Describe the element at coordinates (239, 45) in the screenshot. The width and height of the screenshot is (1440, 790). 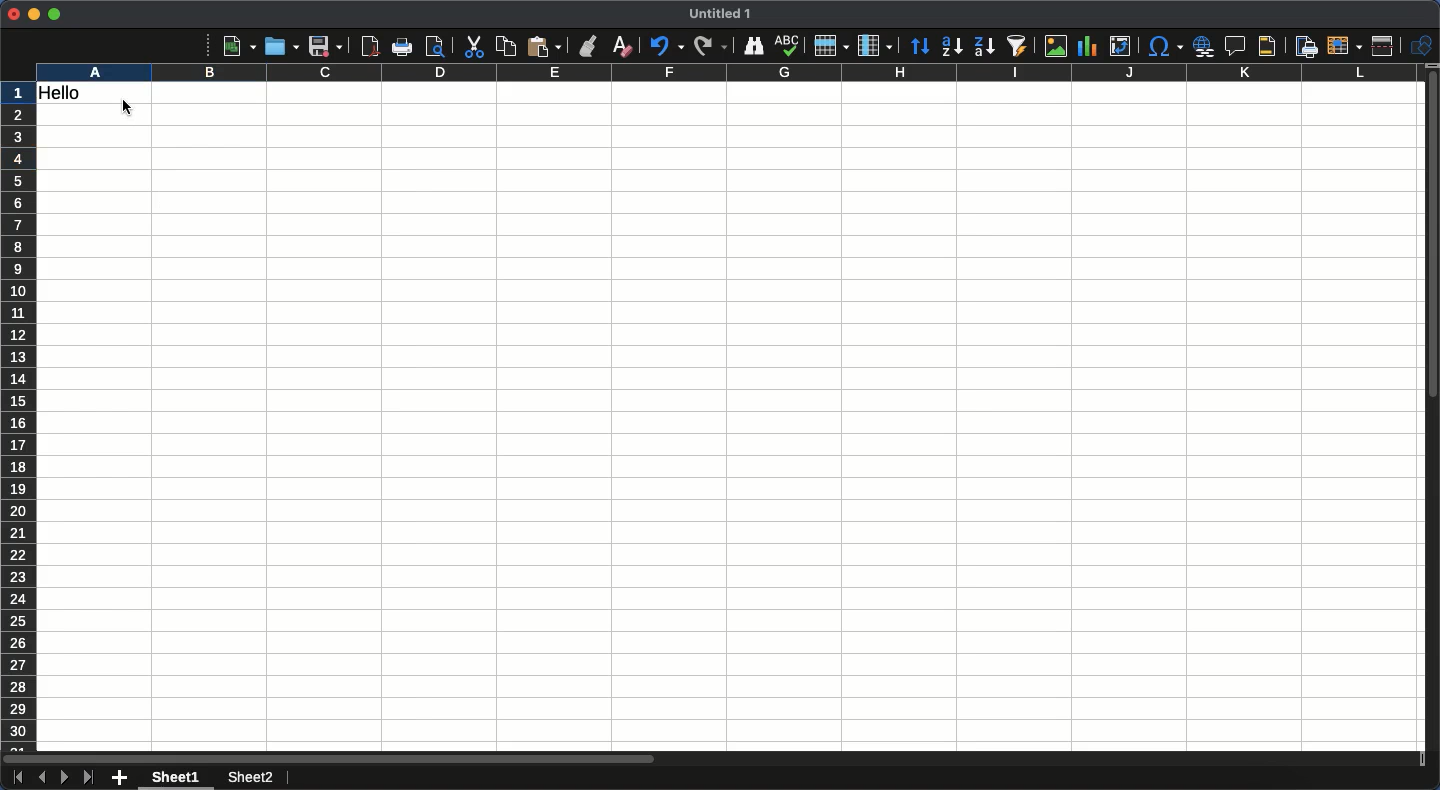
I see `New` at that location.